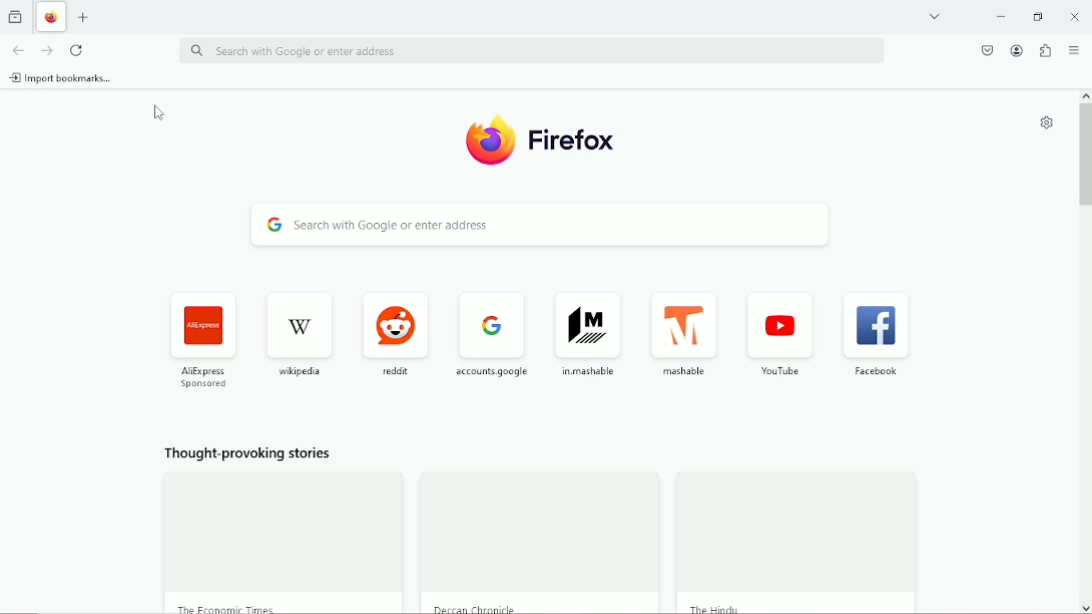 Image resolution: width=1092 pixels, height=614 pixels. Describe the element at coordinates (75, 49) in the screenshot. I see `Reload current page` at that location.